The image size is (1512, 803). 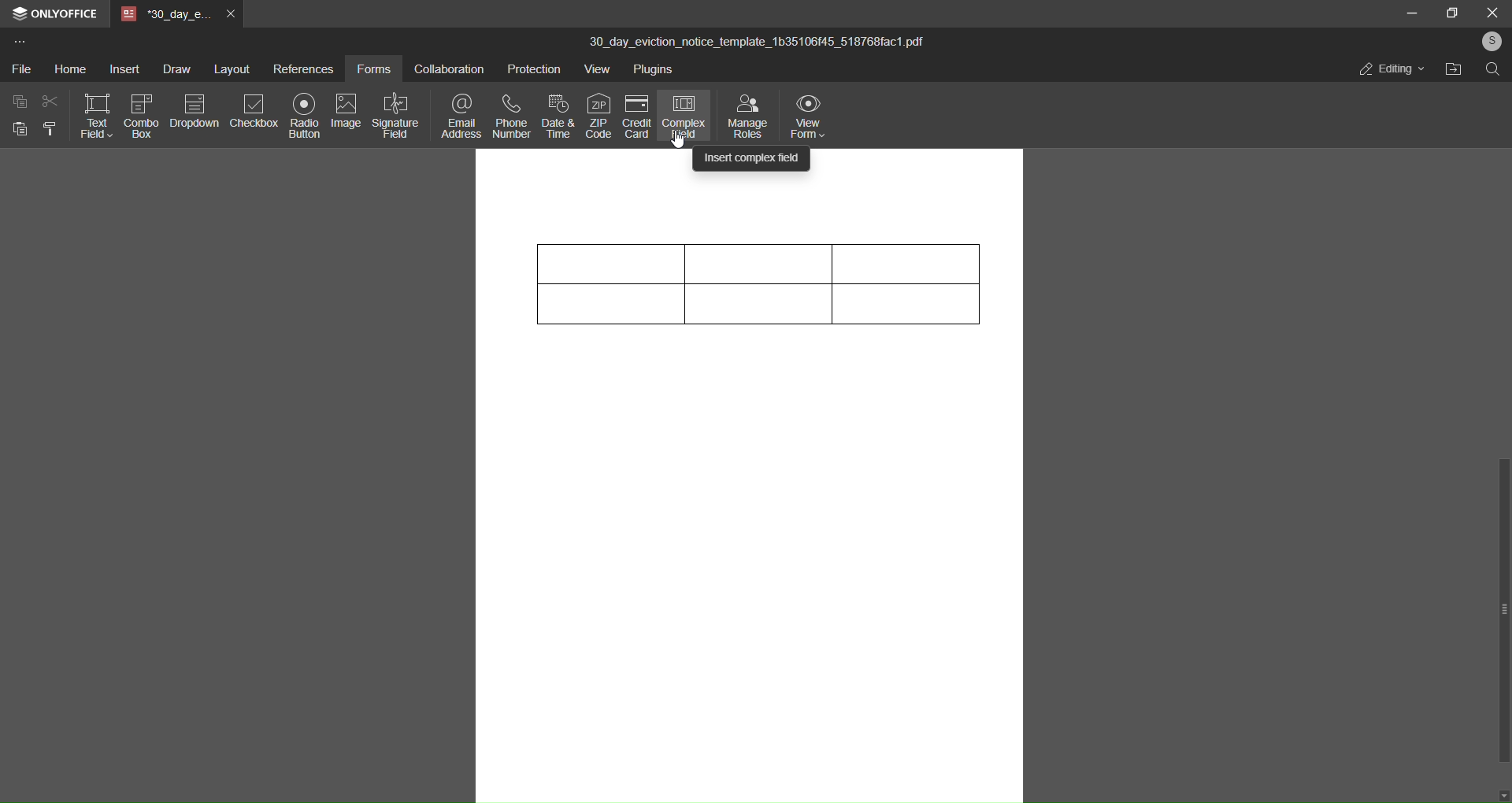 I want to click on dropdown, so click(x=193, y=110).